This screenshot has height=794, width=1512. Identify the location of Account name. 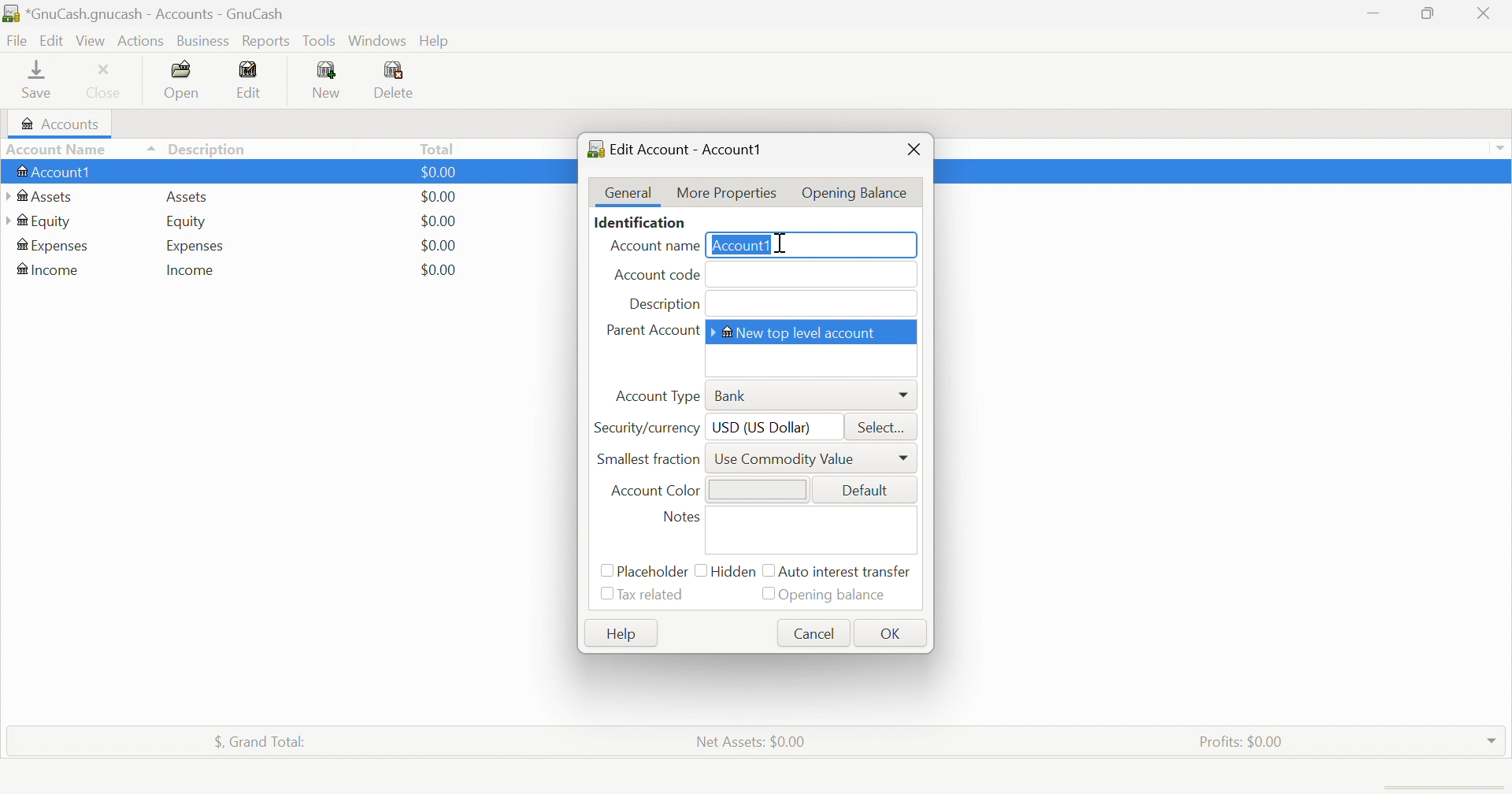
(651, 247).